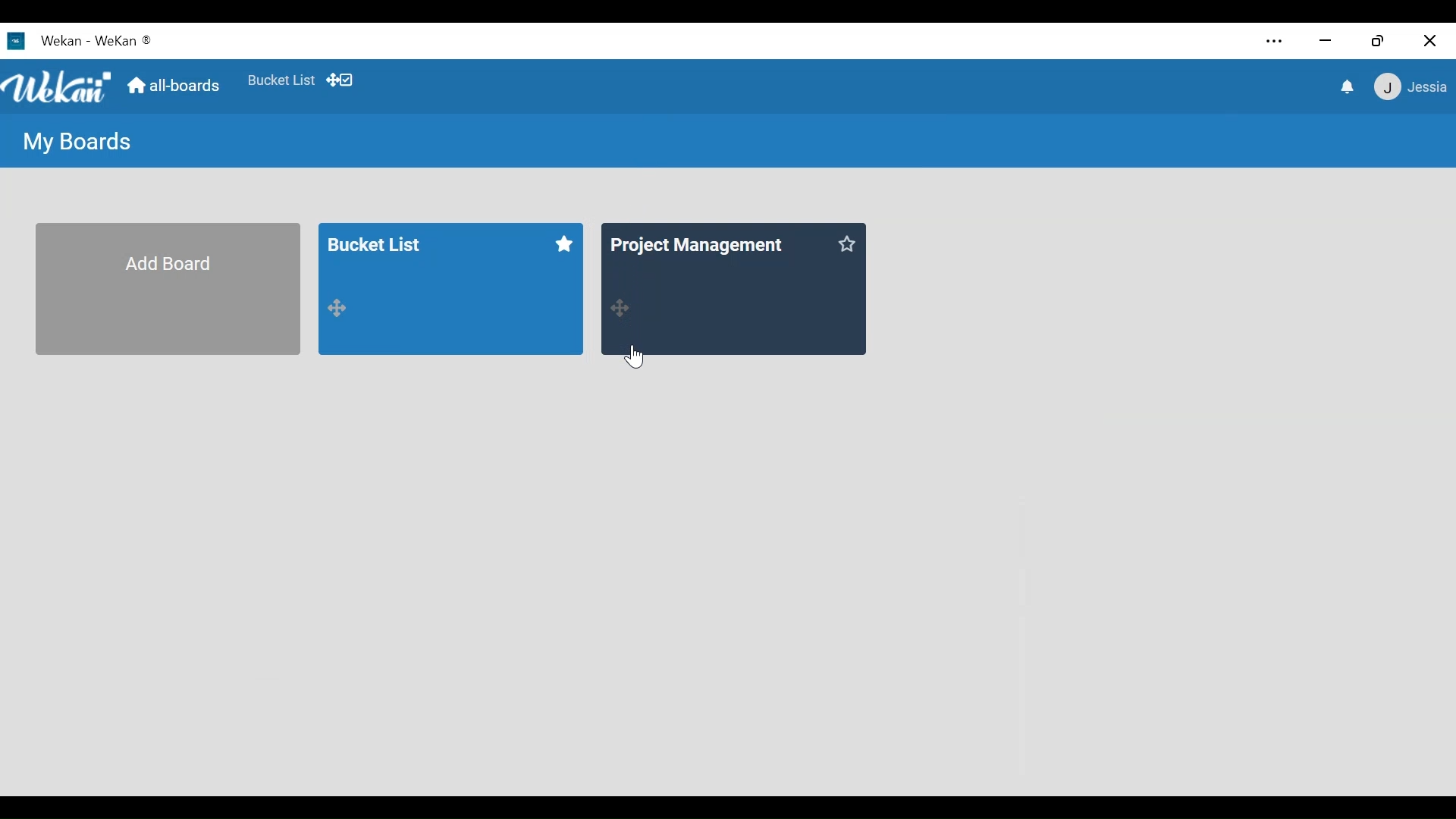  I want to click on action, so click(340, 306).